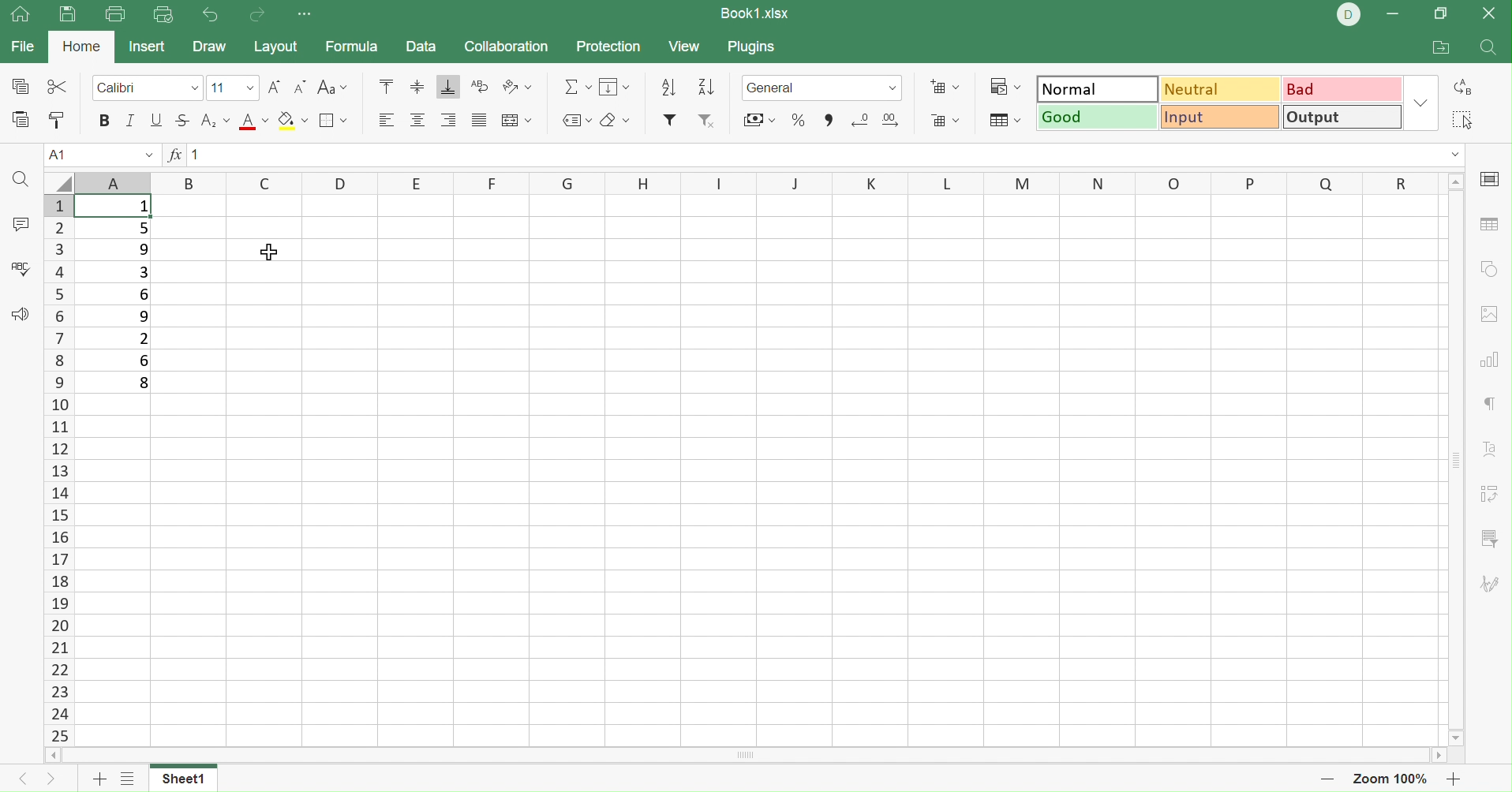  I want to click on Image settings, so click(1489, 313).